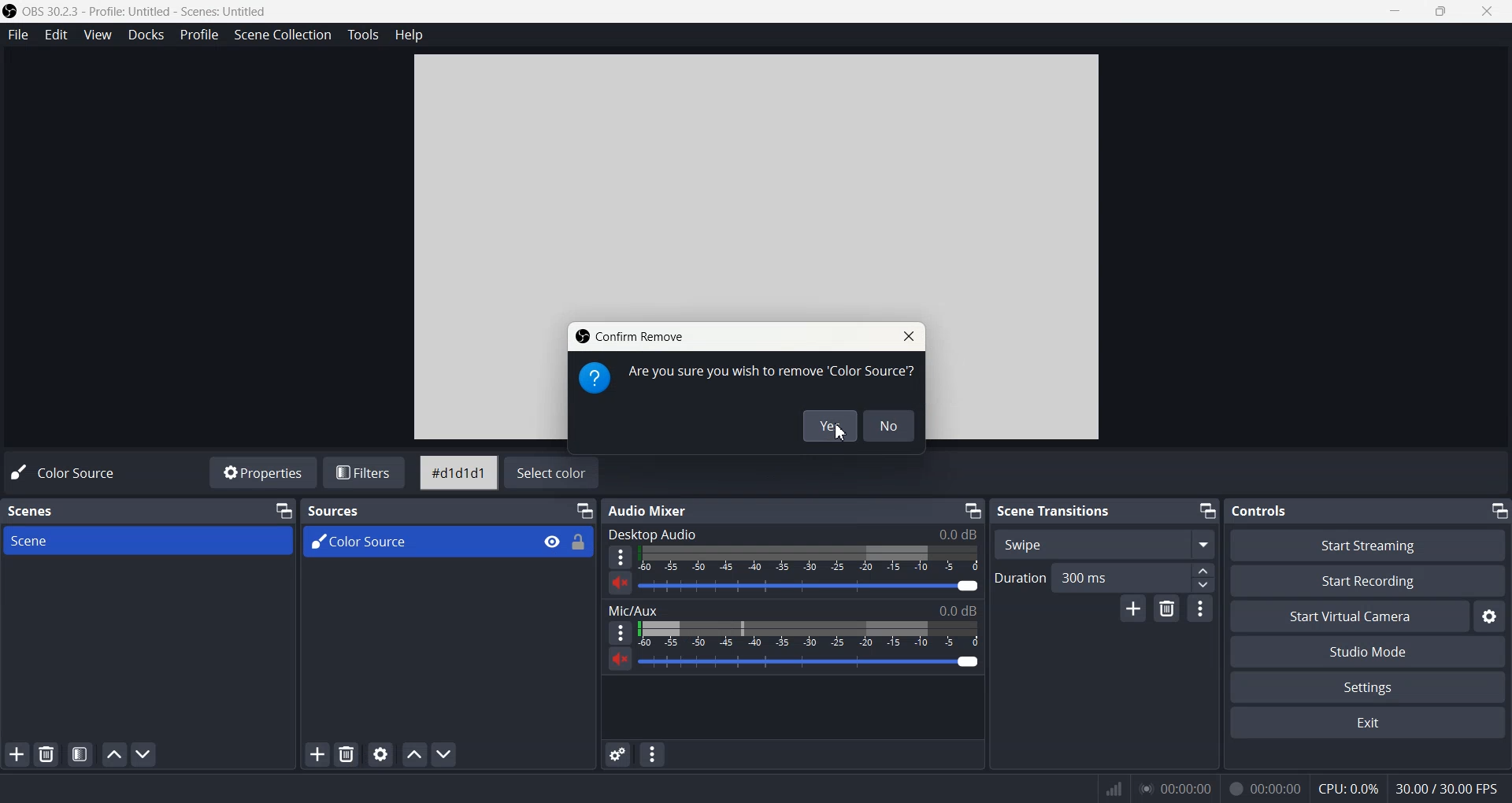 This screenshot has width=1512, height=803. Describe the element at coordinates (417, 542) in the screenshot. I see `Color Source` at that location.